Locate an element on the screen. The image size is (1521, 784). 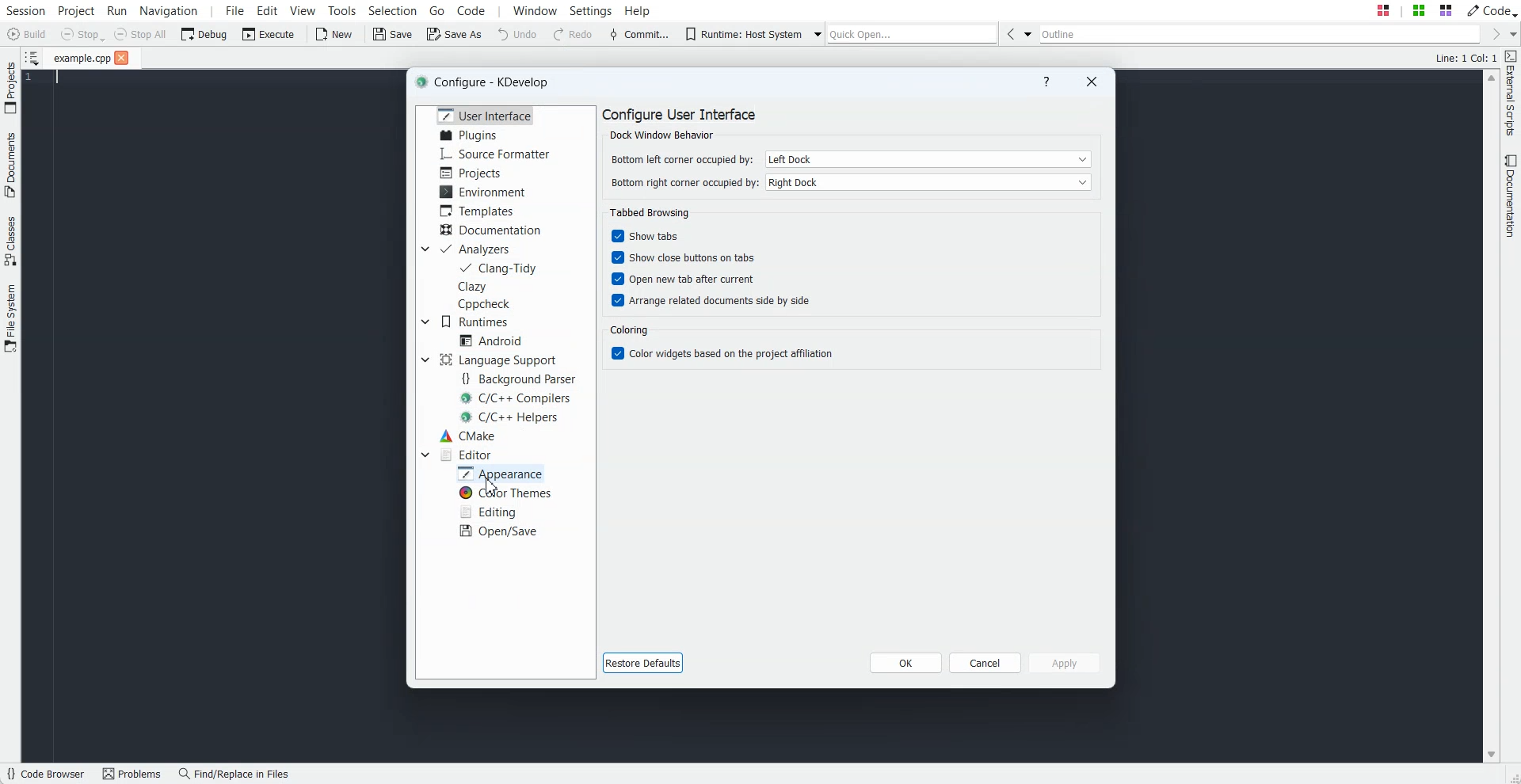
Open/Save is located at coordinates (500, 531).